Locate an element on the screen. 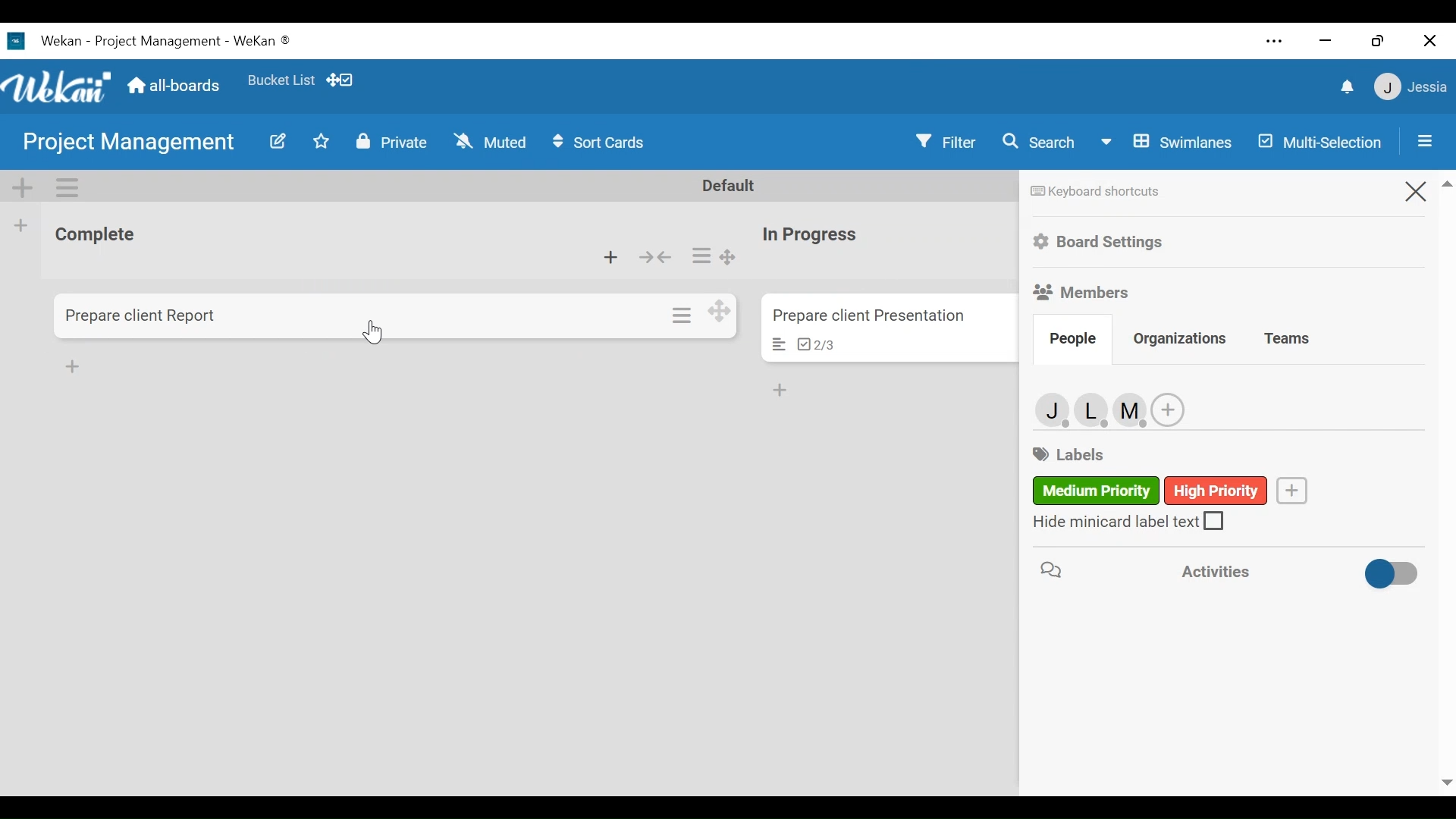 Image resolution: width=1456 pixels, height=819 pixels. List Title is located at coordinates (808, 235).